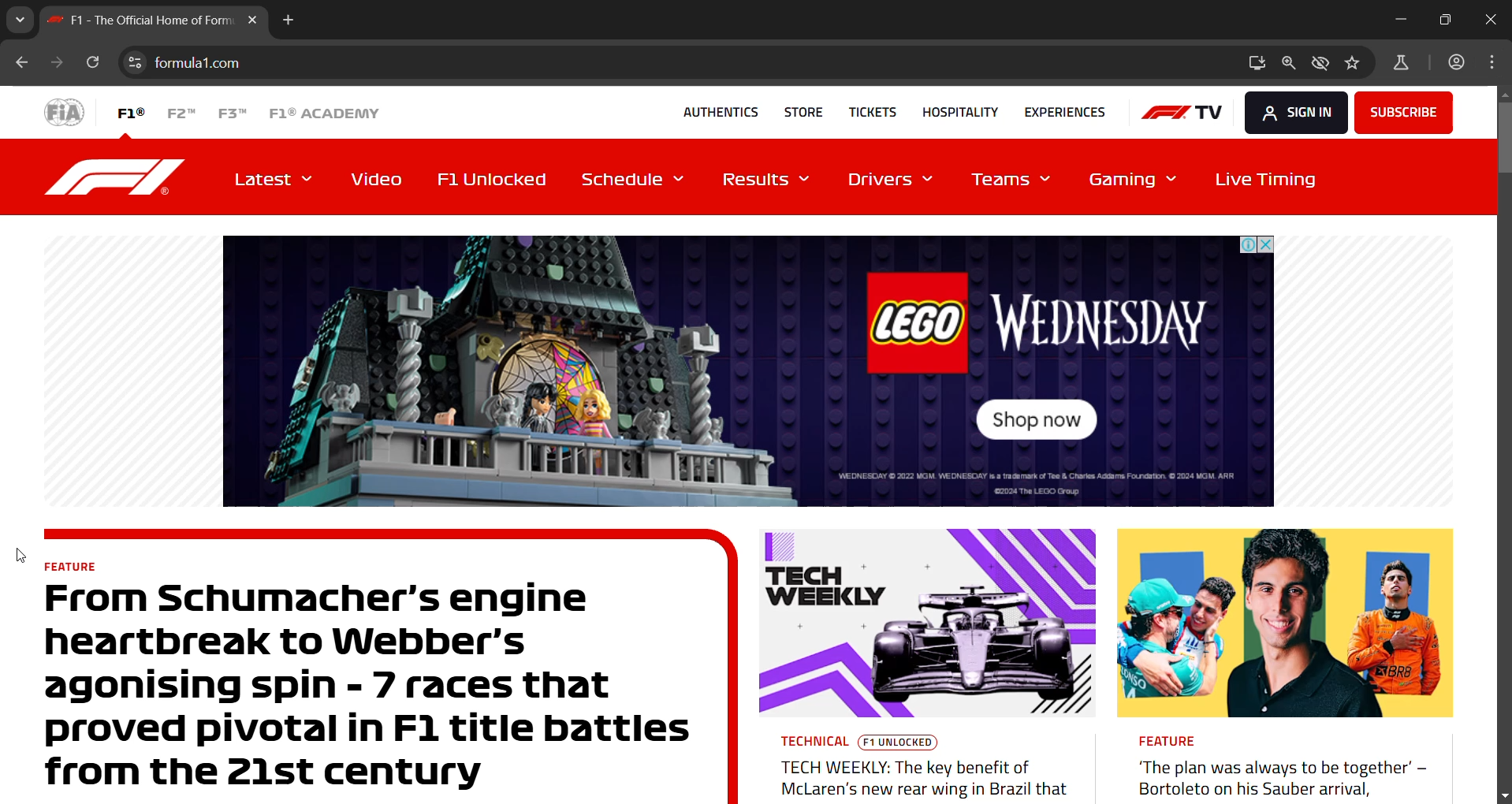  What do you see at coordinates (769, 181) in the screenshot?
I see `Results` at bounding box center [769, 181].